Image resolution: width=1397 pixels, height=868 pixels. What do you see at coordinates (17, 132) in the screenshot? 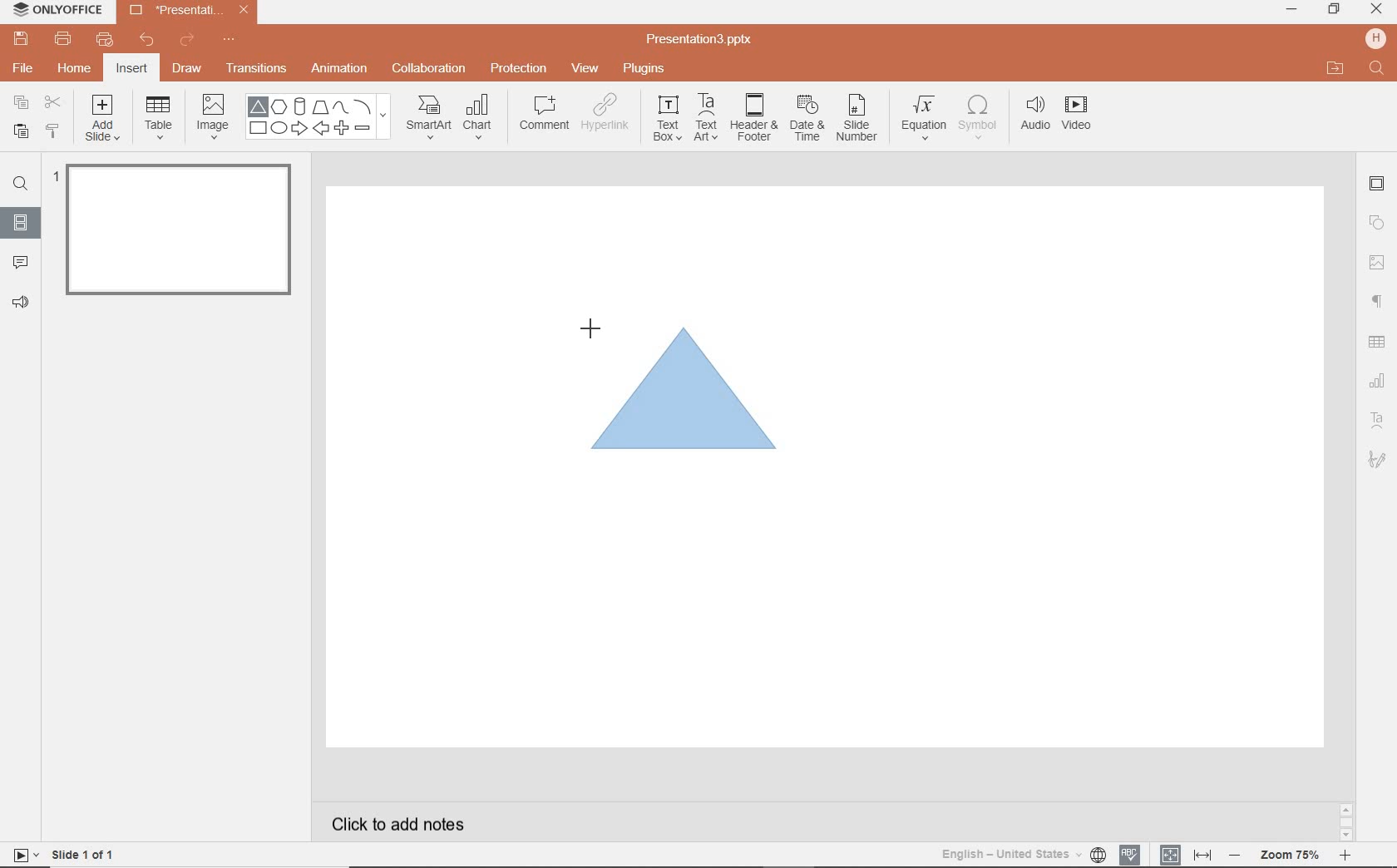
I see `PASTE` at bounding box center [17, 132].